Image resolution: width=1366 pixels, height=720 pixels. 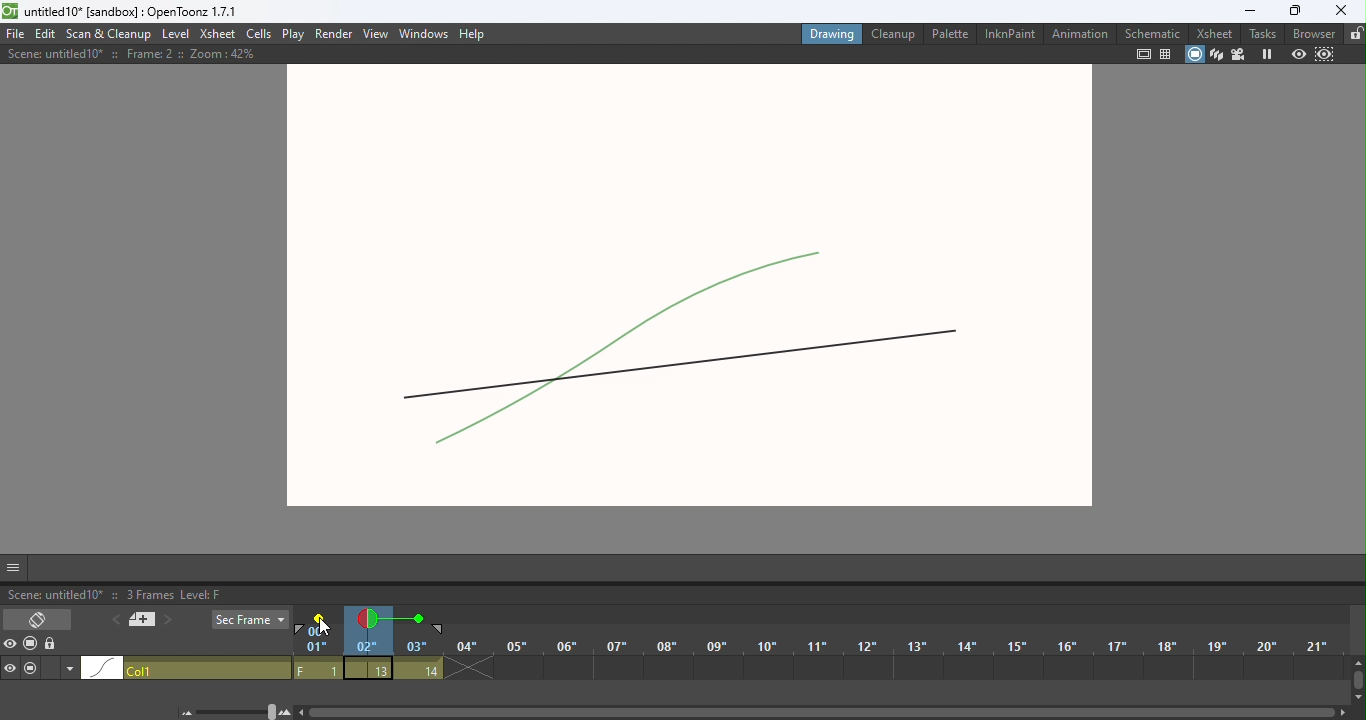 I want to click on sub-camera preview, so click(x=1326, y=53).